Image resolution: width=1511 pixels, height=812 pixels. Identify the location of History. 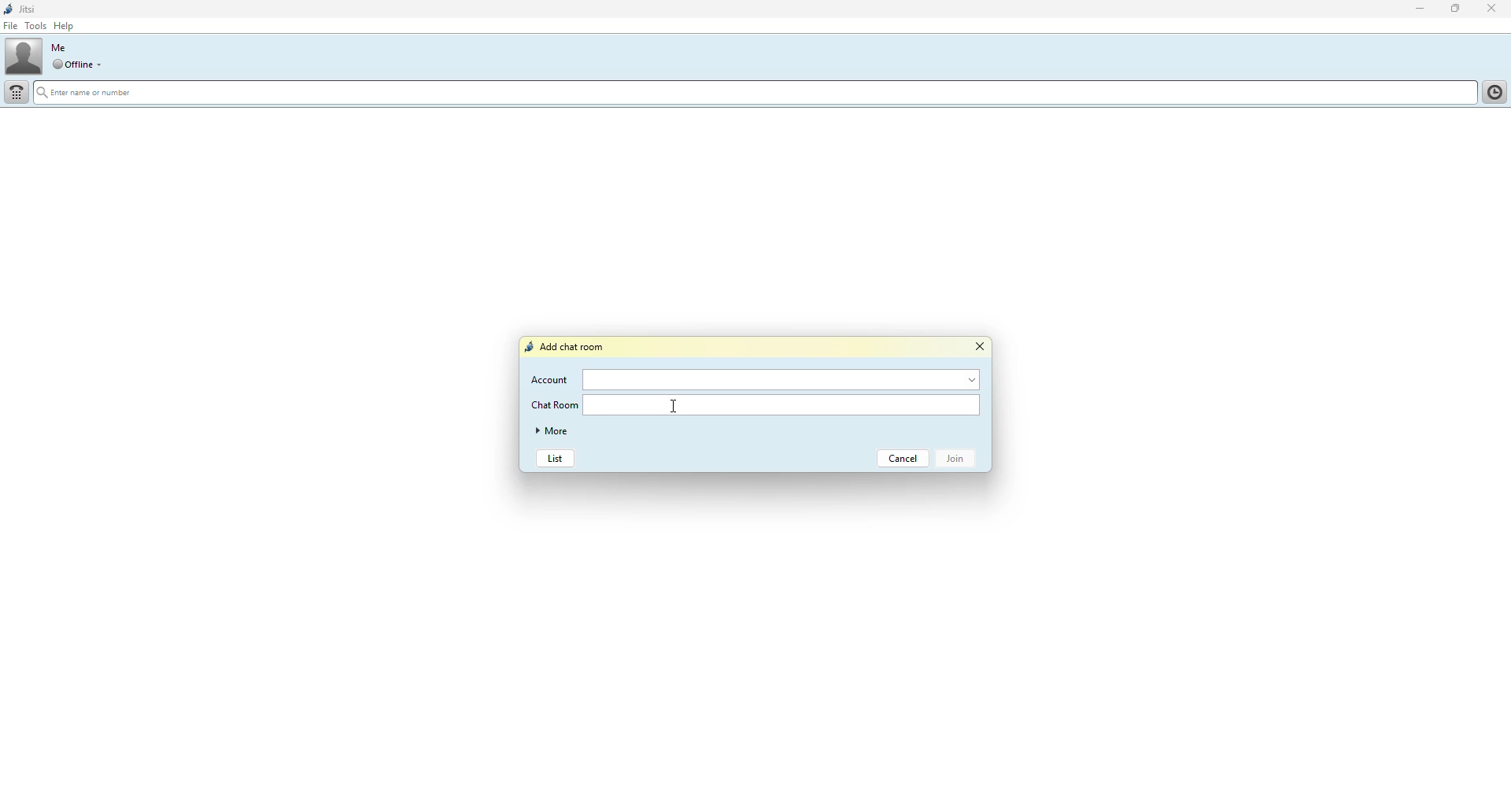
(1492, 90).